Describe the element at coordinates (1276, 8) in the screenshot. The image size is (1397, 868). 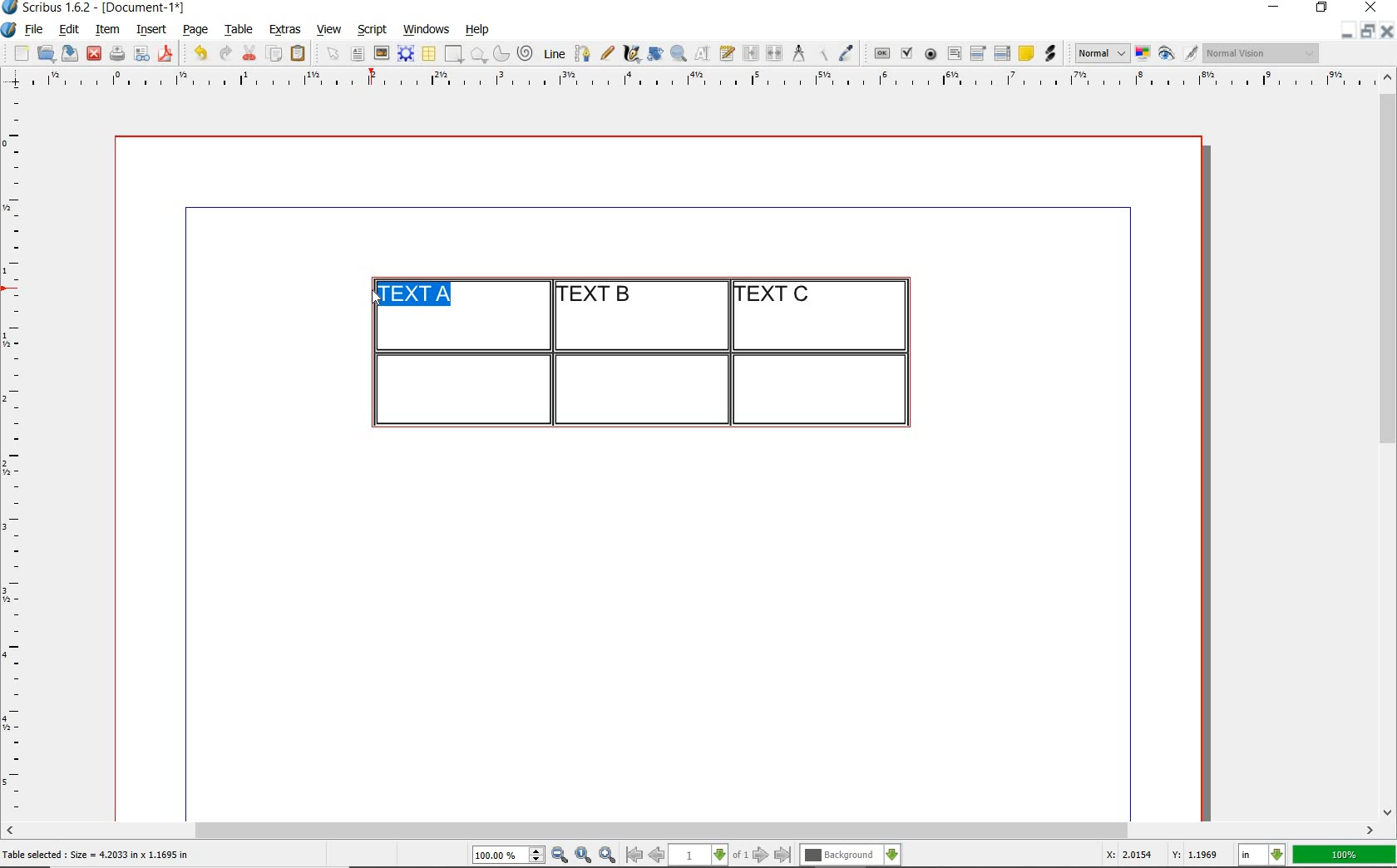
I see `minimize` at that location.